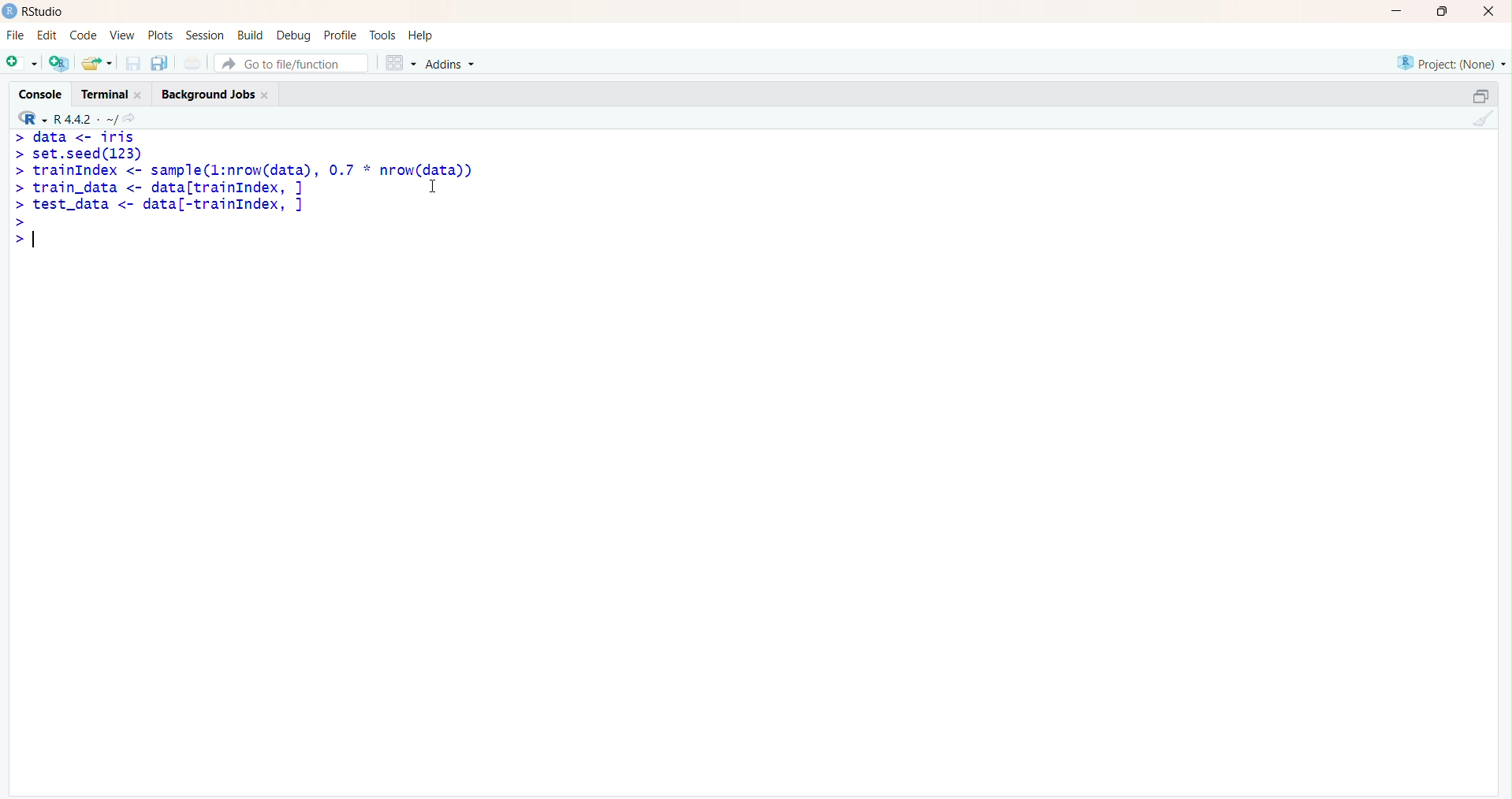 The width and height of the screenshot is (1512, 799). Describe the element at coordinates (60, 61) in the screenshot. I see `Create a project` at that location.